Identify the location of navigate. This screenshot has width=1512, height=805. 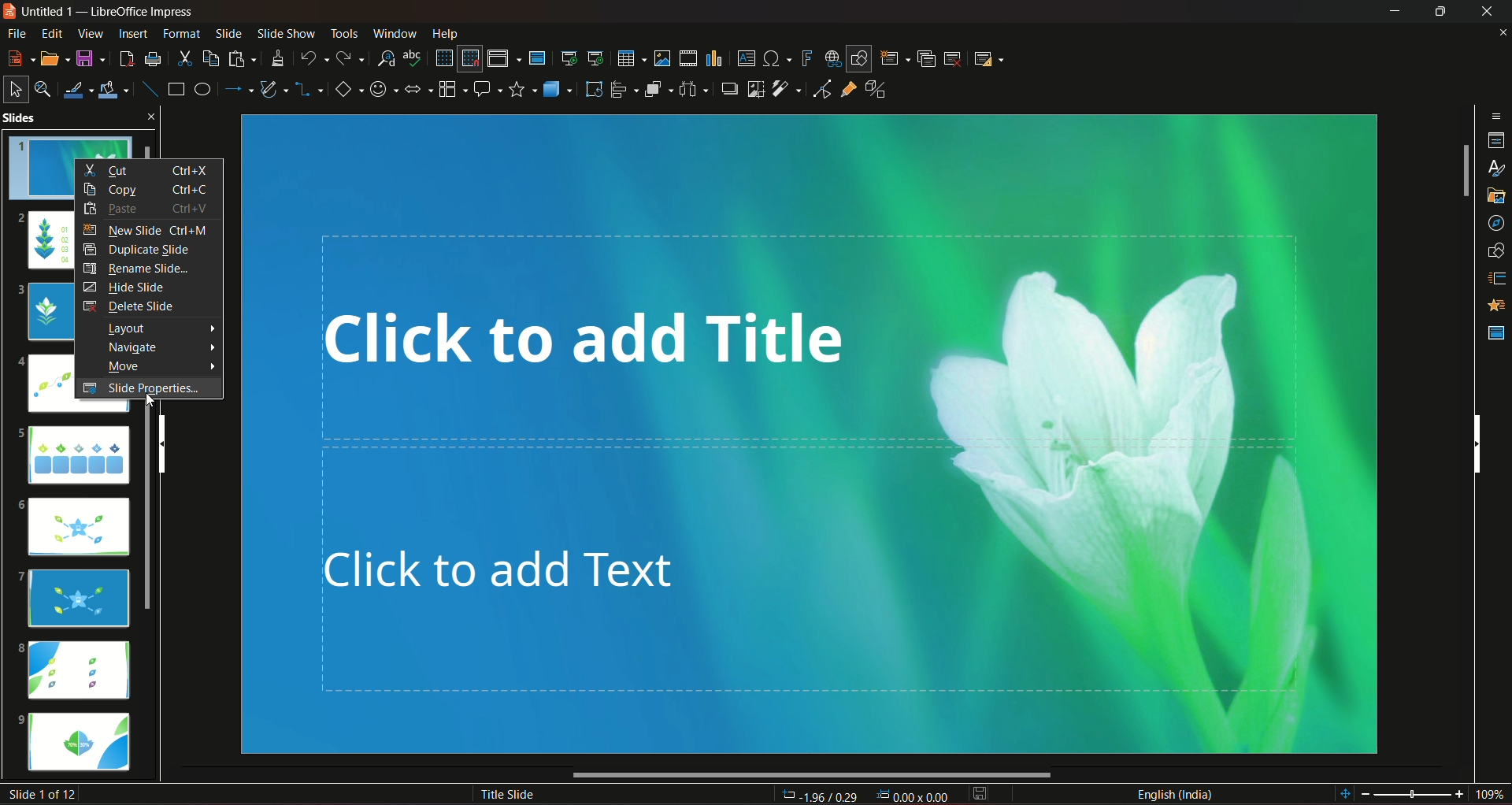
(157, 348).